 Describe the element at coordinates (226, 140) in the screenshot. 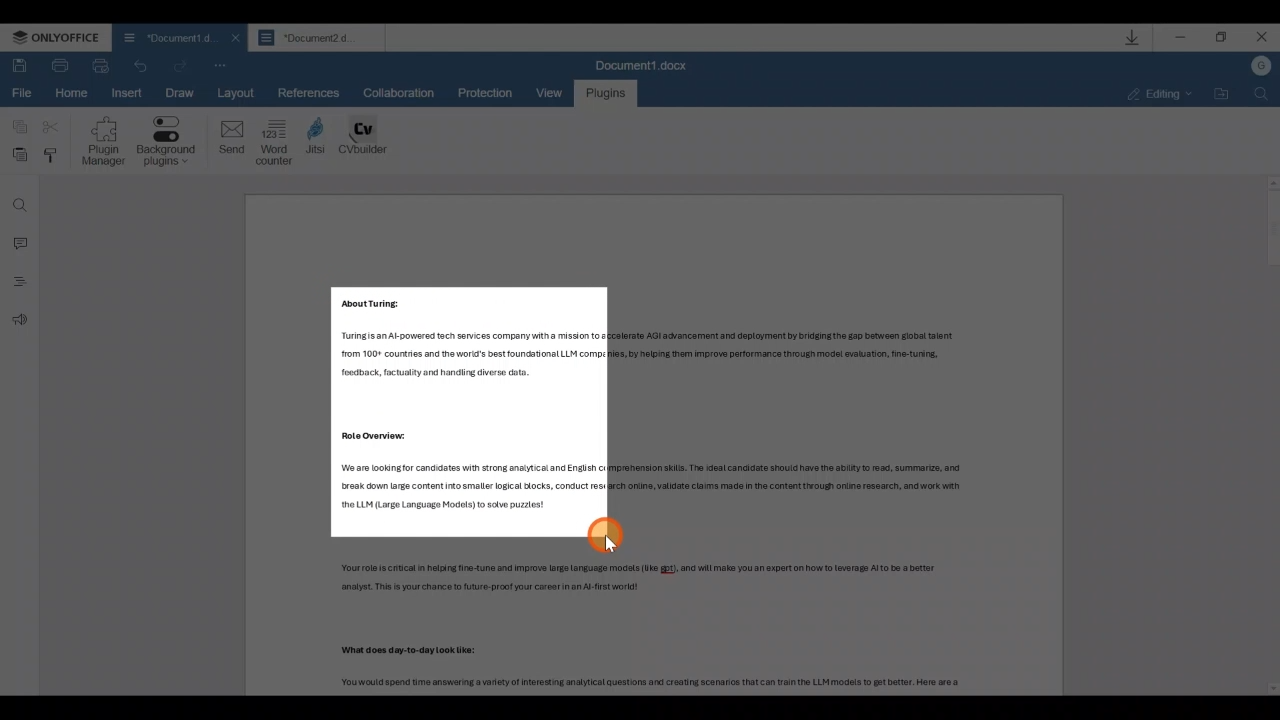

I see `Send` at that location.